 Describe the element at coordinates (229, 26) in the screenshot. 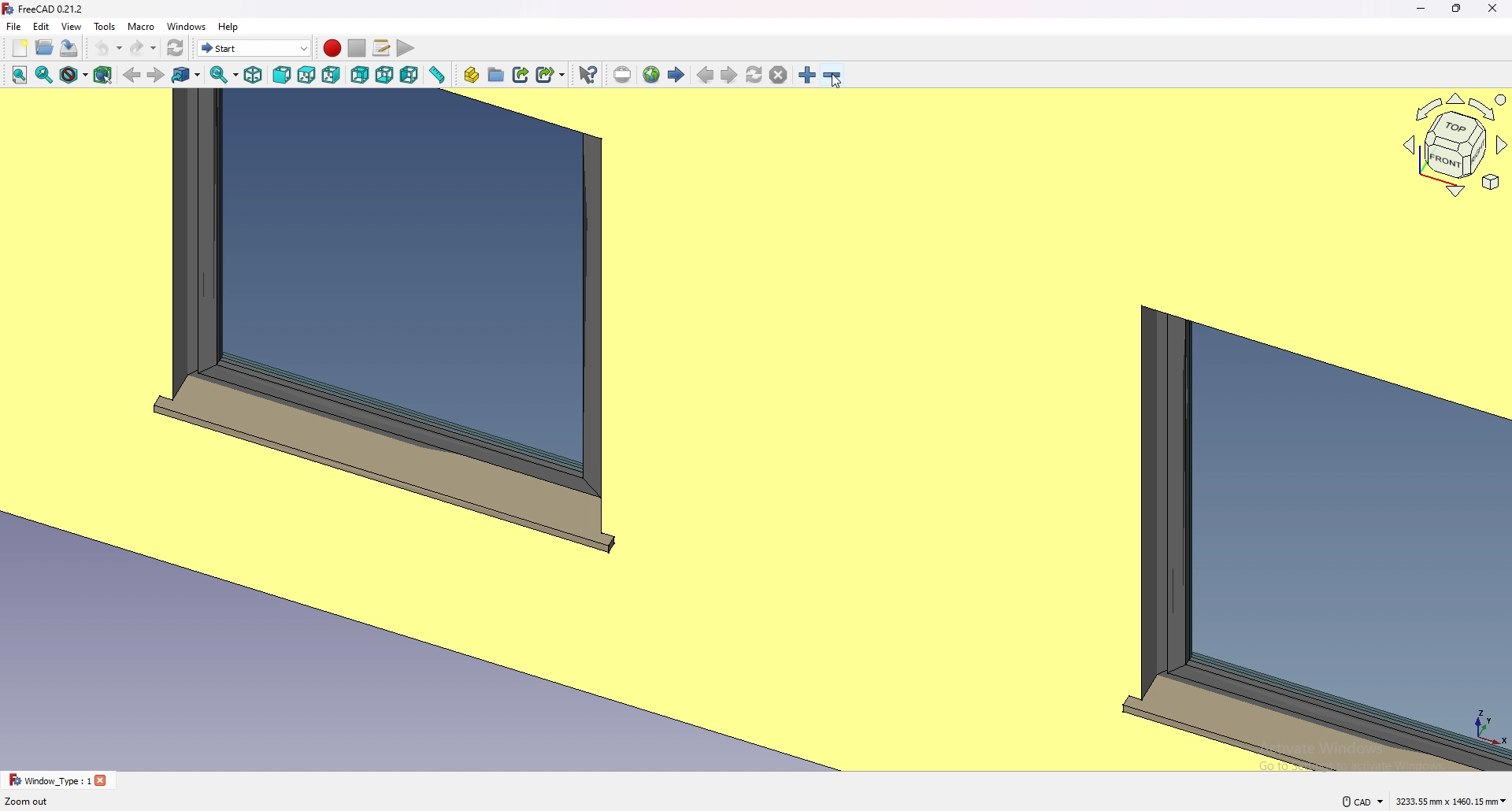

I see `help` at that location.